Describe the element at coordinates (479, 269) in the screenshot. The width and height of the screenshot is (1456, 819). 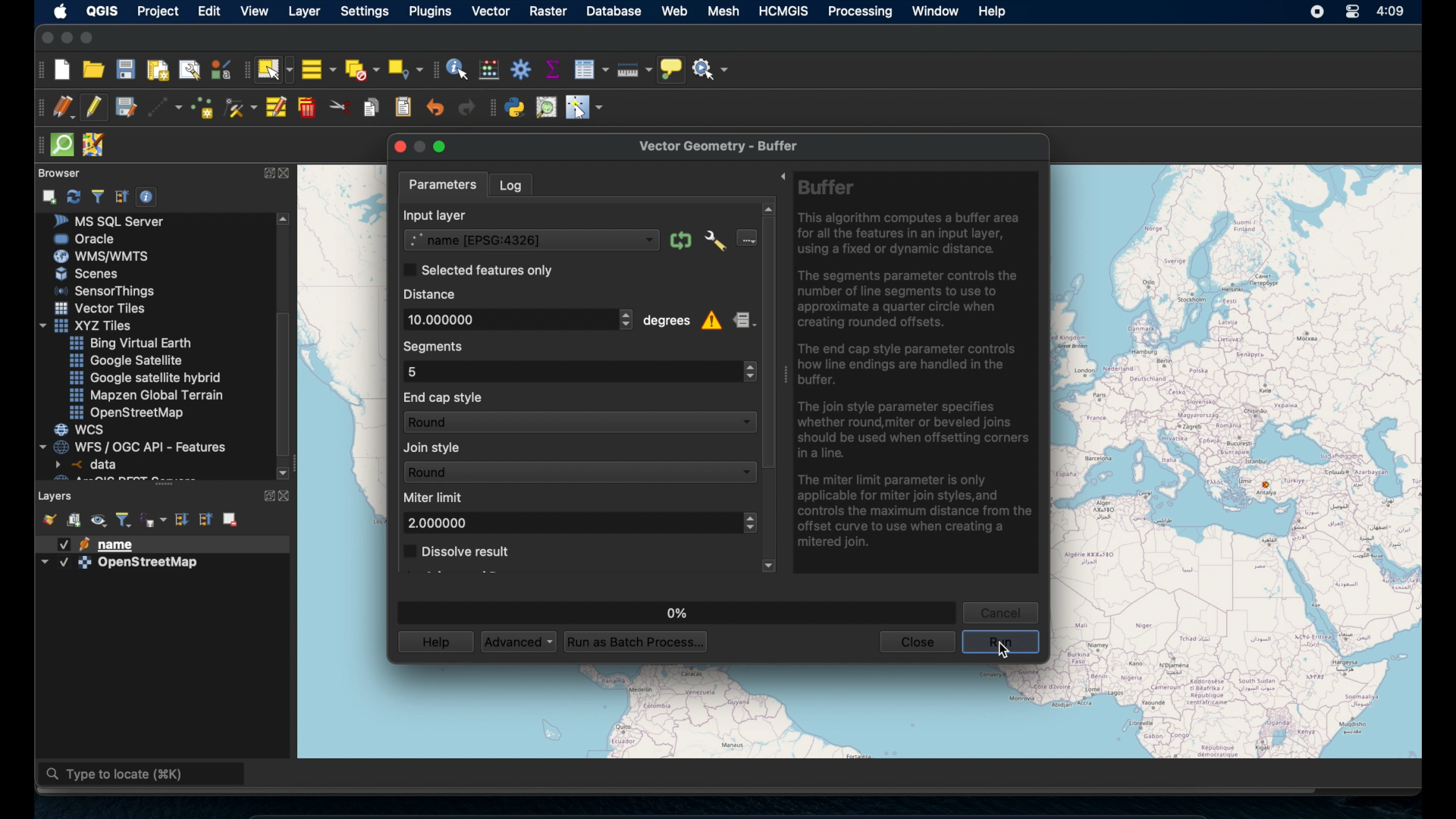
I see `select features only` at that location.